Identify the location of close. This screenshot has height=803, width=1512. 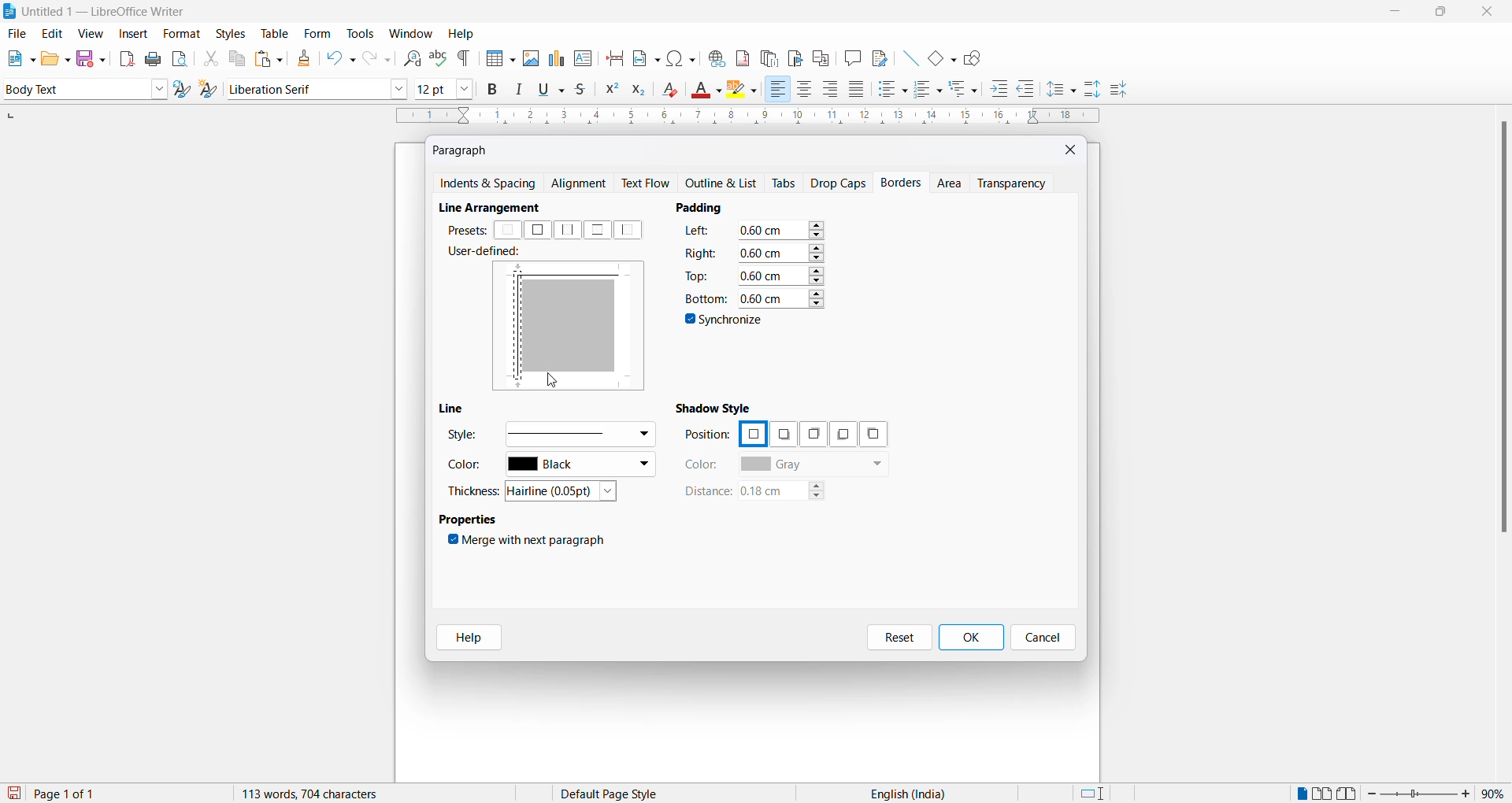
(1491, 13).